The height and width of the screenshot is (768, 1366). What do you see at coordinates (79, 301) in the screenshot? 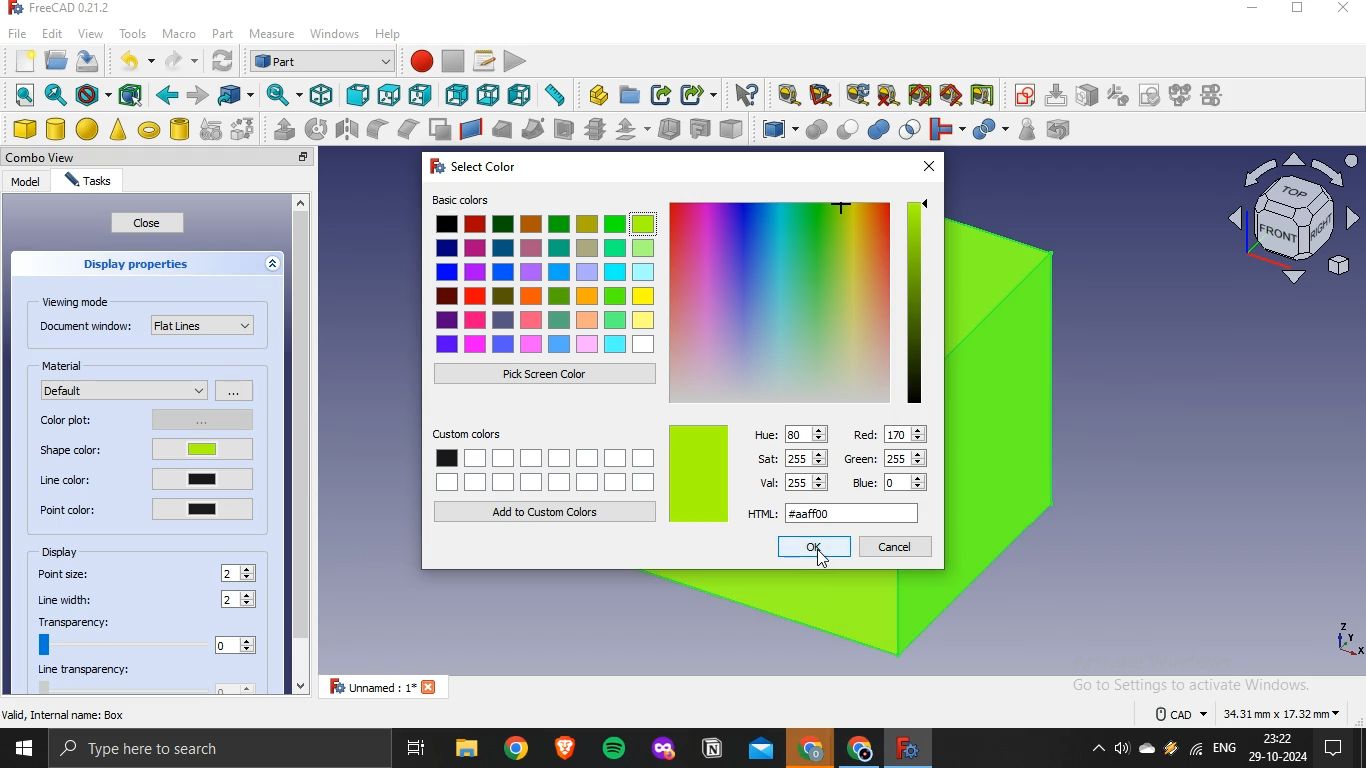
I see `viewing mode` at bounding box center [79, 301].